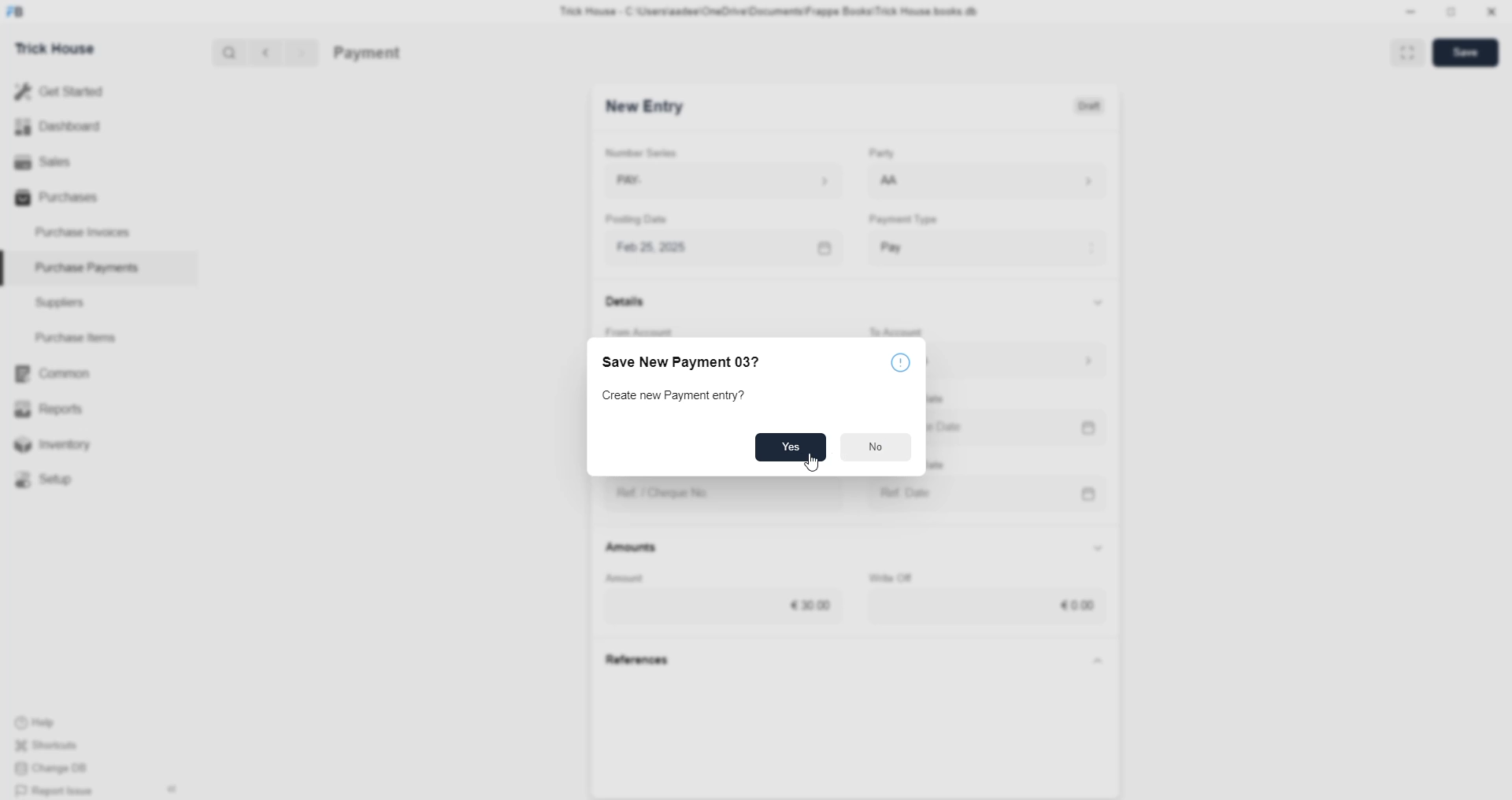 The width and height of the screenshot is (1512, 800). Describe the element at coordinates (680, 397) in the screenshot. I see `Create new Payment entry?` at that location.